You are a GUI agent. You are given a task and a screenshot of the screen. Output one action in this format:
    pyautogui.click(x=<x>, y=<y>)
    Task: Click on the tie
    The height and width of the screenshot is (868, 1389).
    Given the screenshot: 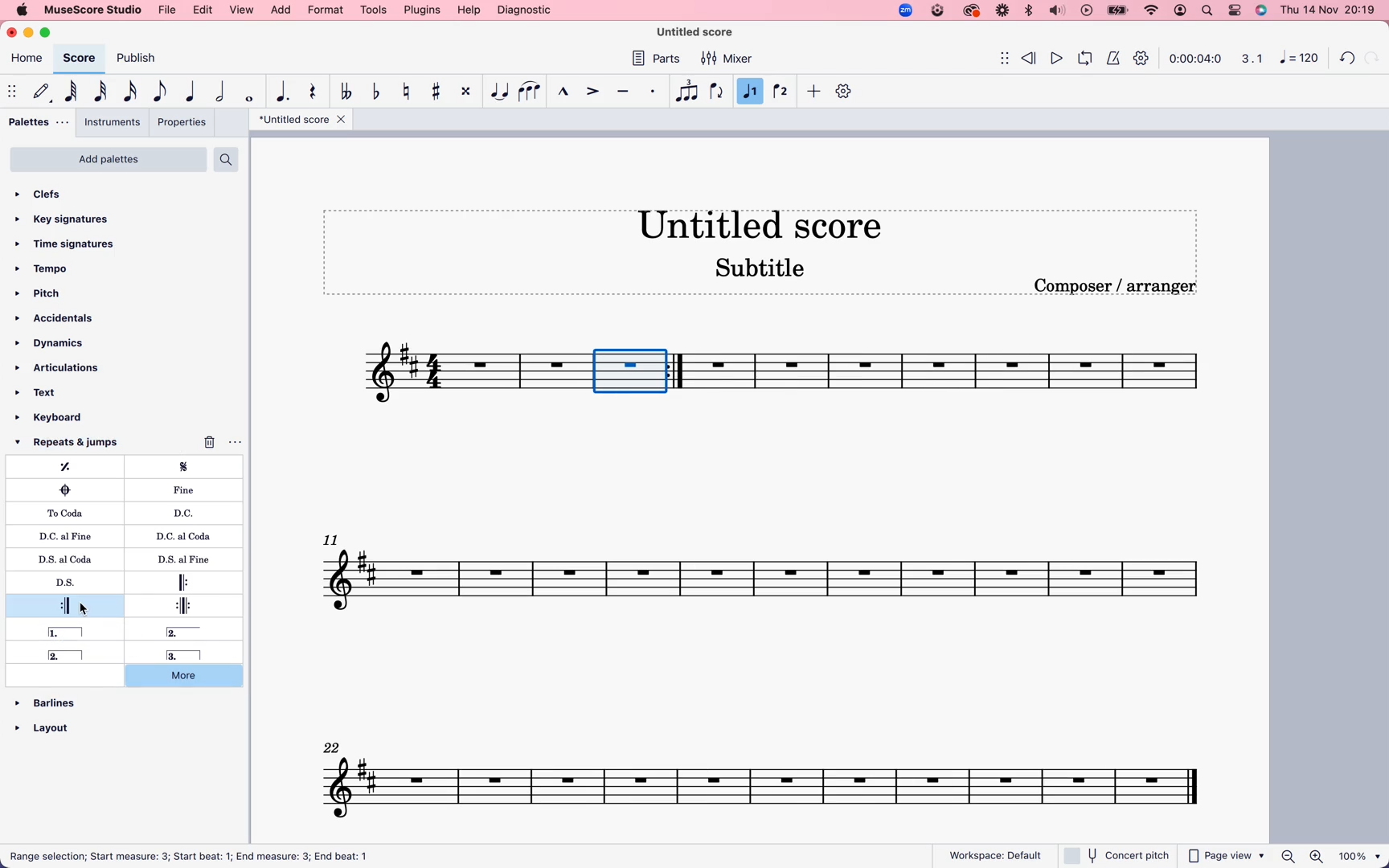 What is the action you would take?
    pyautogui.click(x=499, y=92)
    